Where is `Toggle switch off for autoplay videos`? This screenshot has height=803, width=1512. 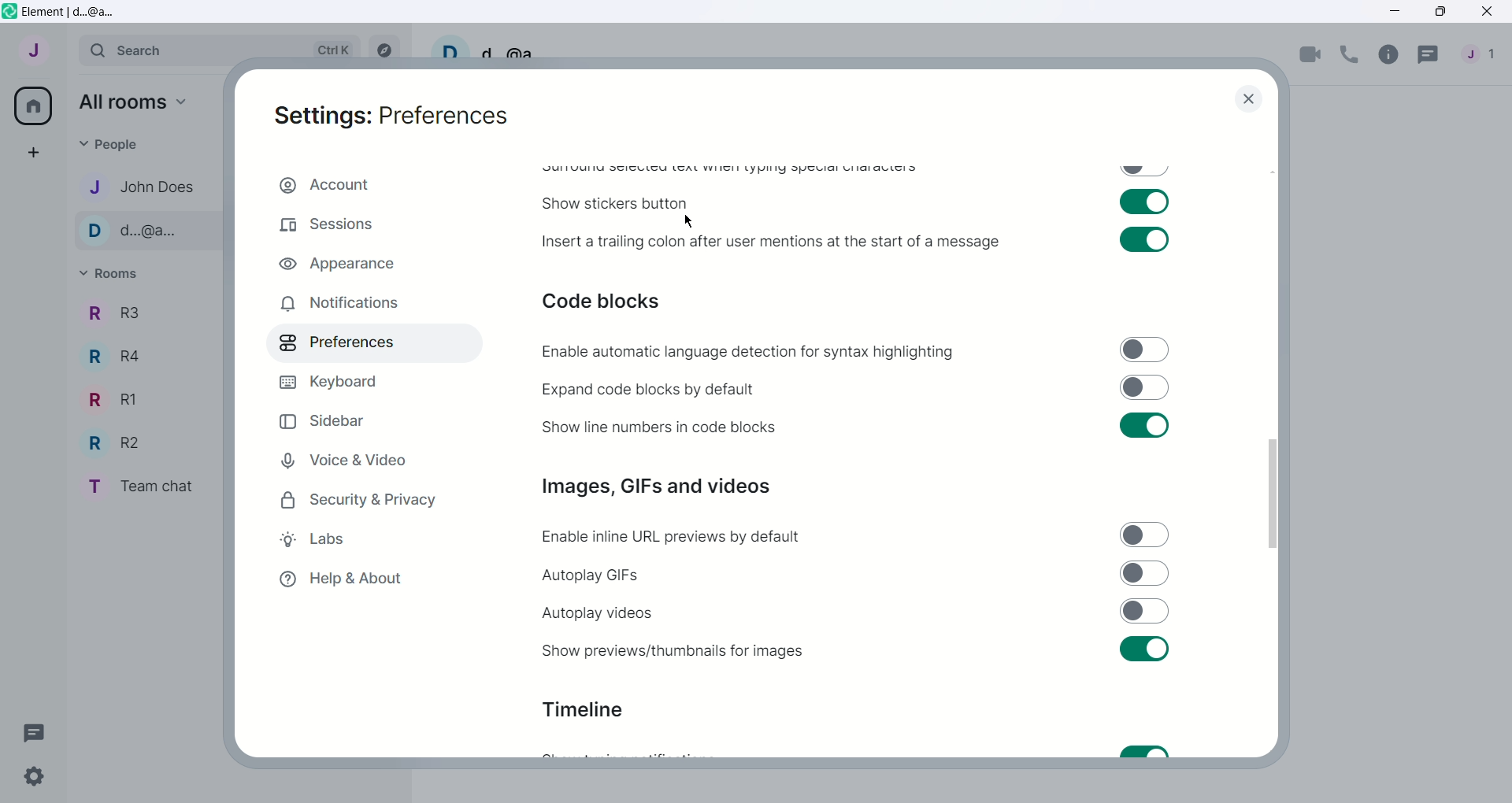 Toggle switch off for autoplay videos is located at coordinates (1145, 611).